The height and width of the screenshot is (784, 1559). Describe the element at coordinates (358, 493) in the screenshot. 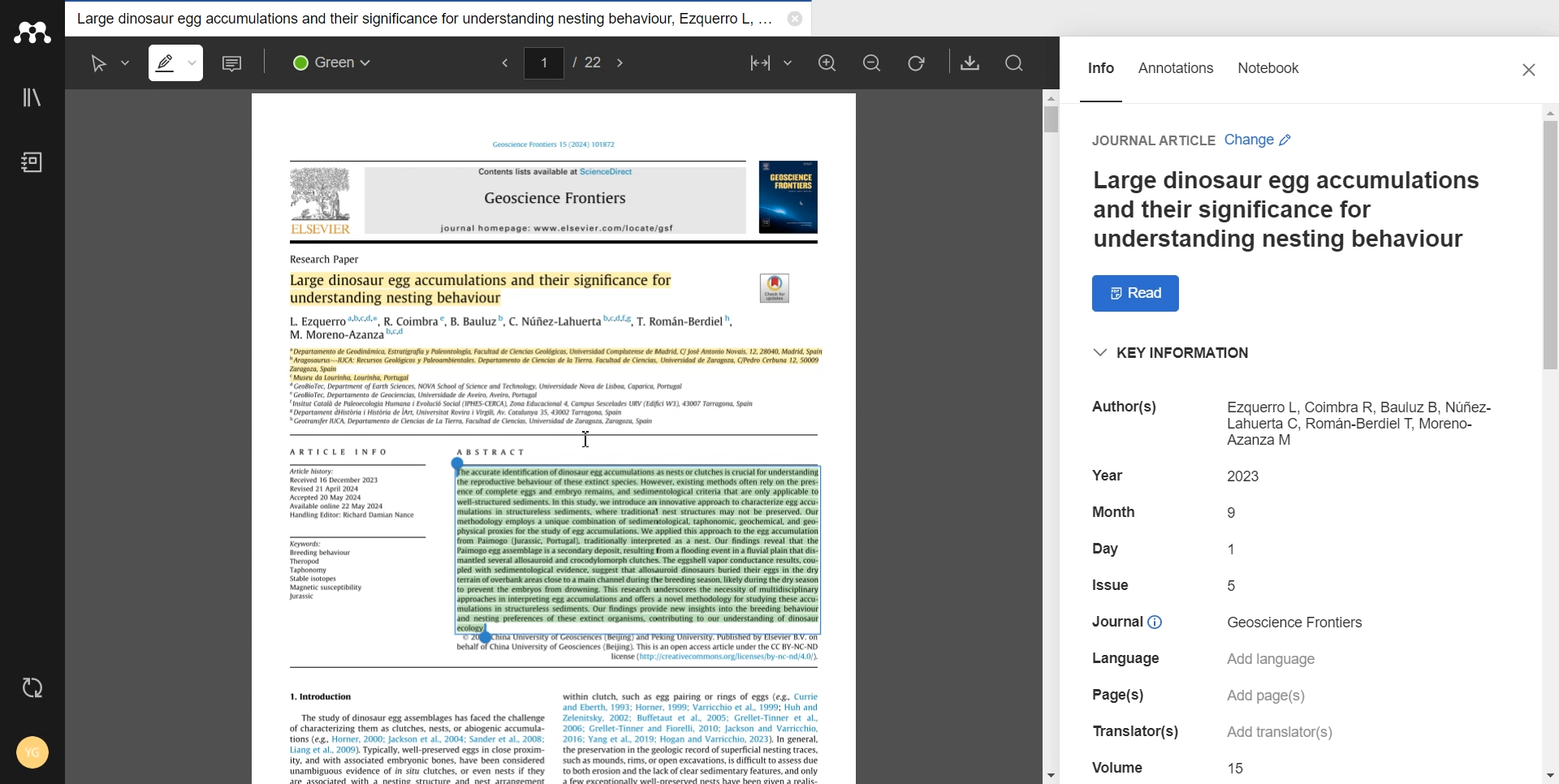

I see `text` at that location.